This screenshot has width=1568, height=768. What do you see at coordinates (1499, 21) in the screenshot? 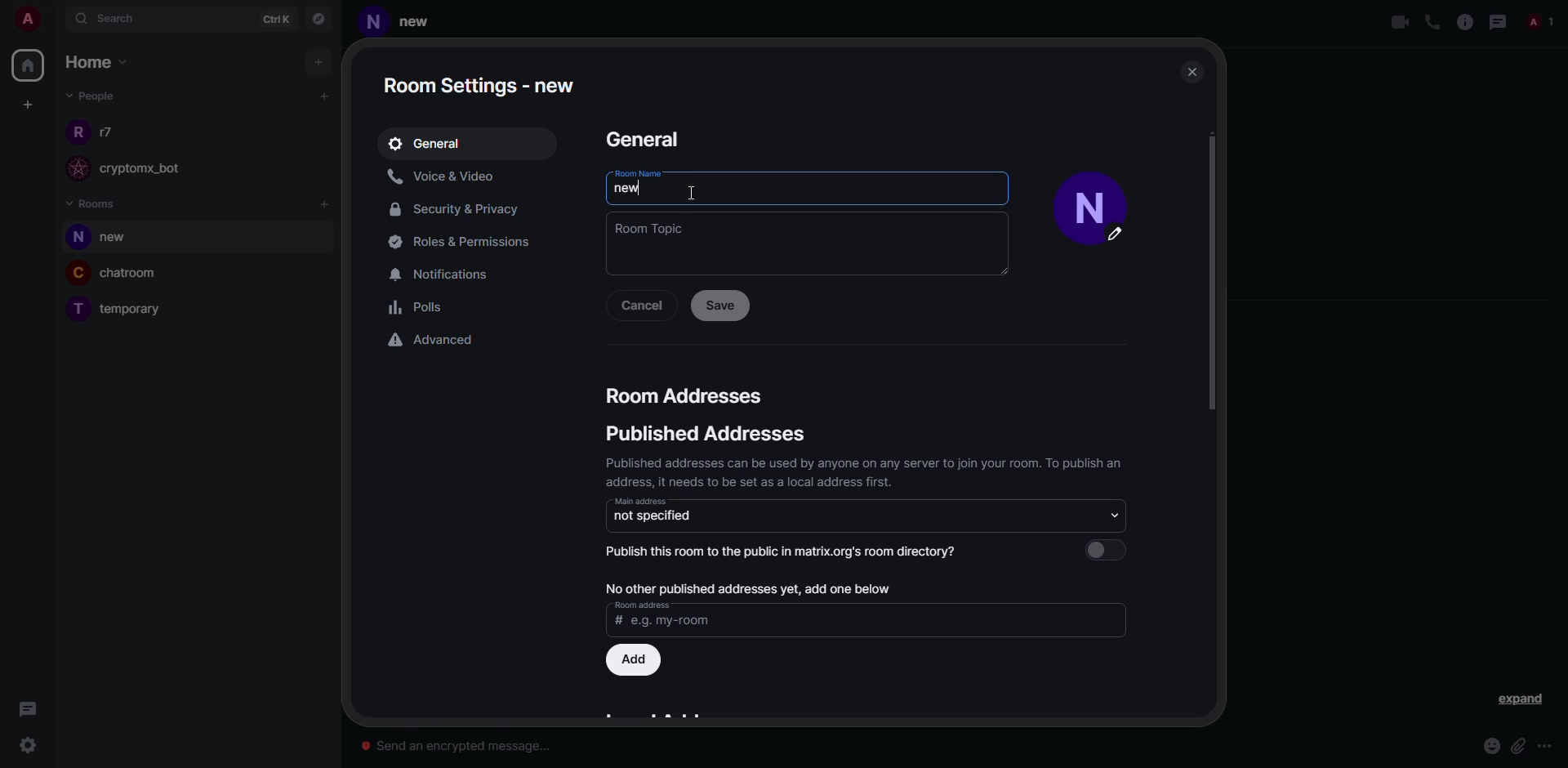
I see `threads` at bounding box center [1499, 21].